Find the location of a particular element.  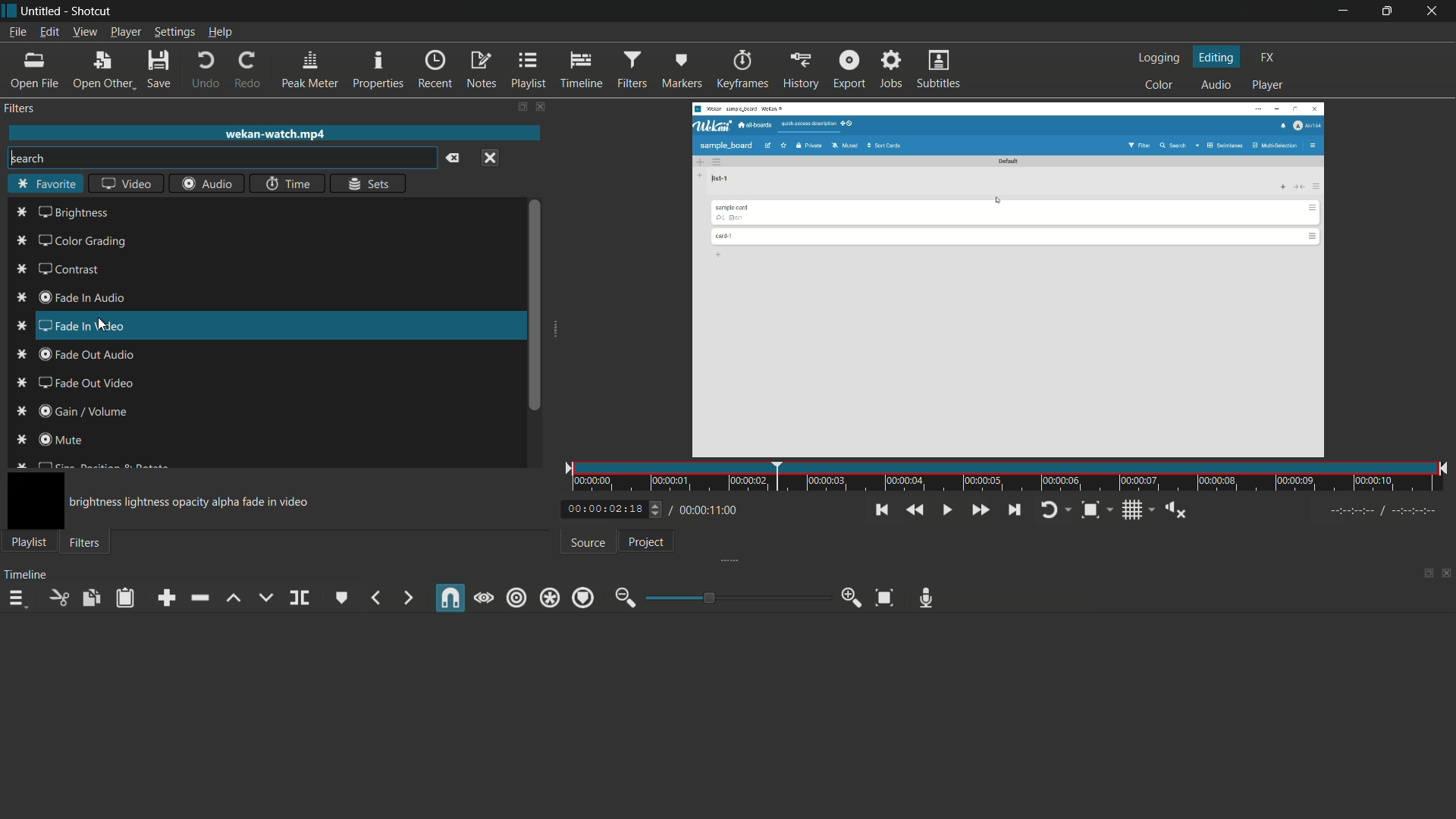

jobs is located at coordinates (890, 70).